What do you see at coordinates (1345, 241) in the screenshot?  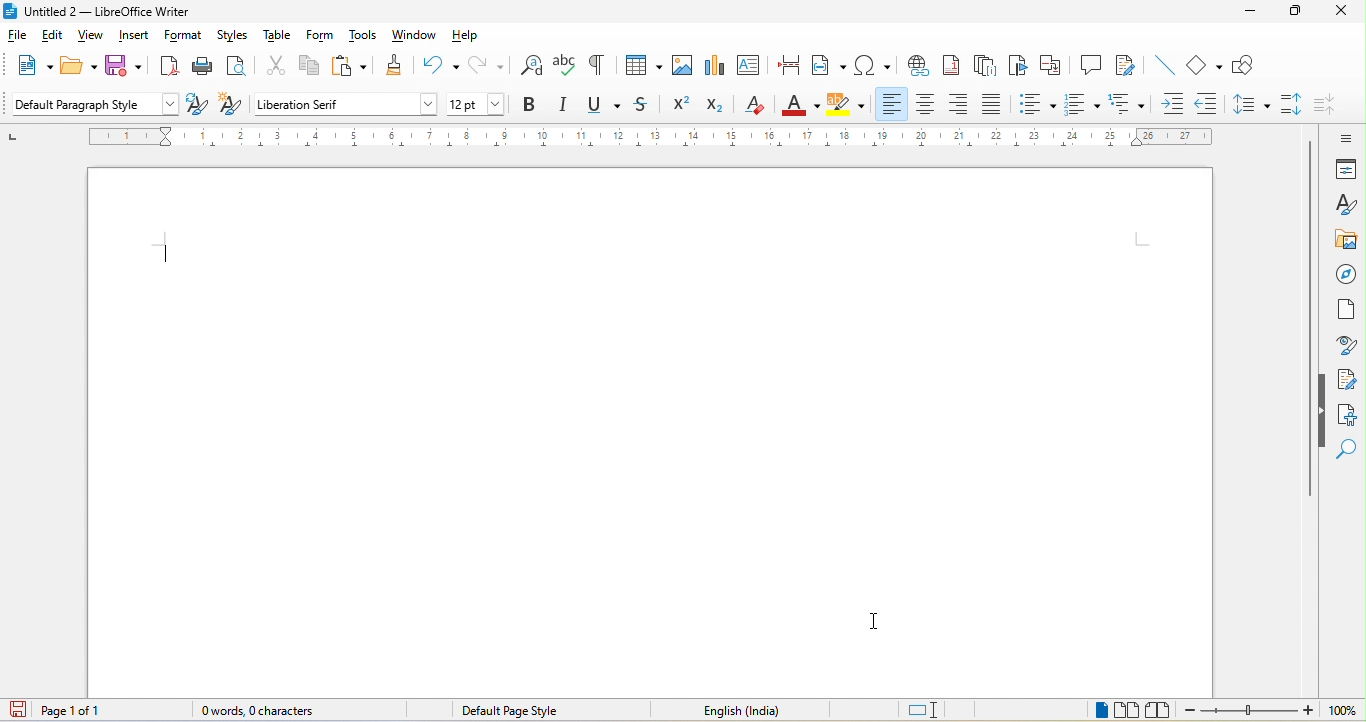 I see `gallery art` at bounding box center [1345, 241].